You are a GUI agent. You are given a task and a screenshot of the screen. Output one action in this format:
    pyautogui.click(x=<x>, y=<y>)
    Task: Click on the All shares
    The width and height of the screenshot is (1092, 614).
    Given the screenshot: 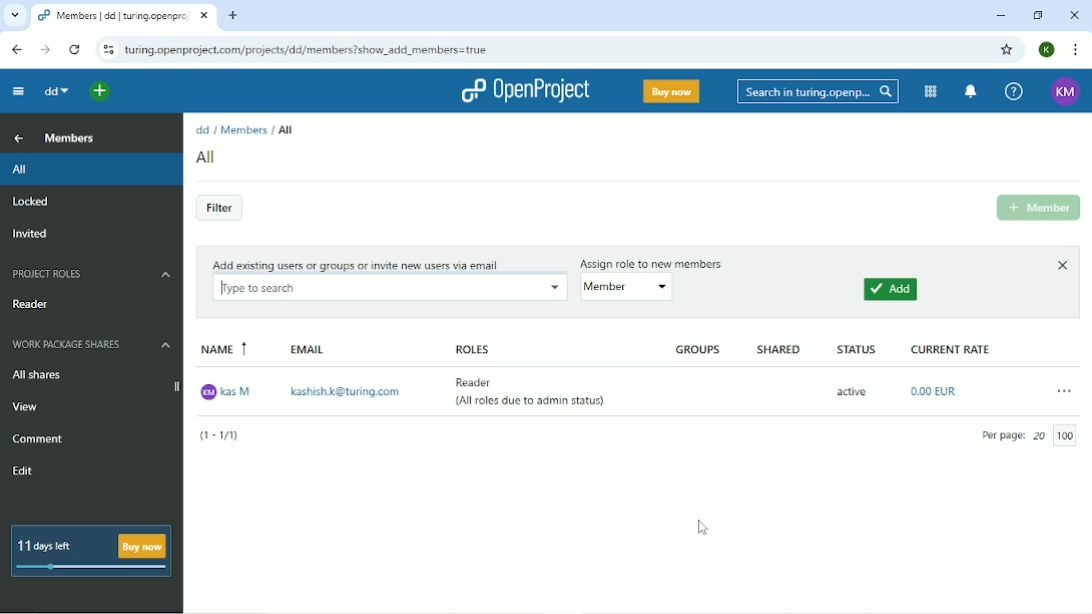 What is the action you would take?
    pyautogui.click(x=36, y=376)
    